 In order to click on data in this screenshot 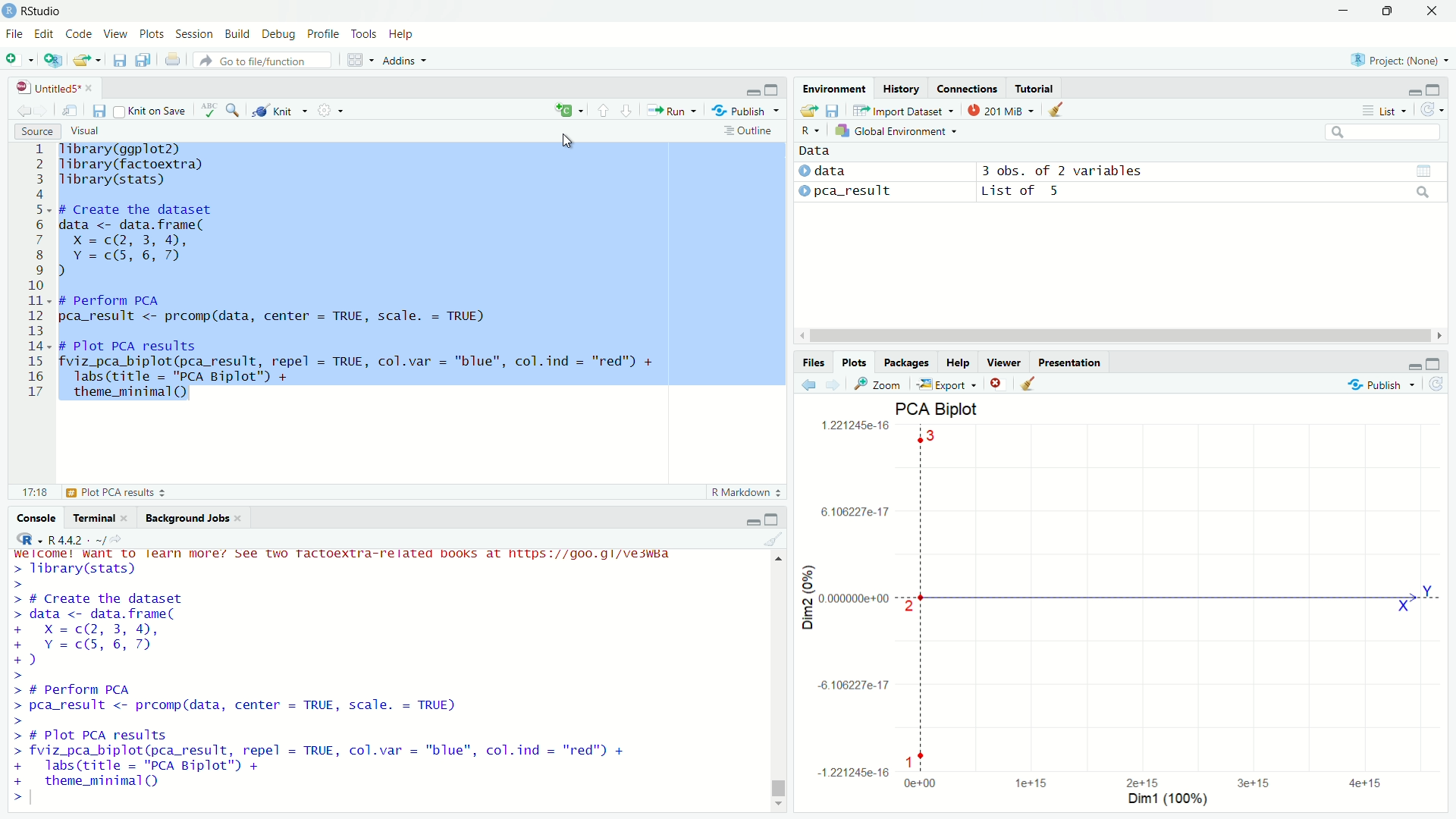, I will do `click(827, 172)`.